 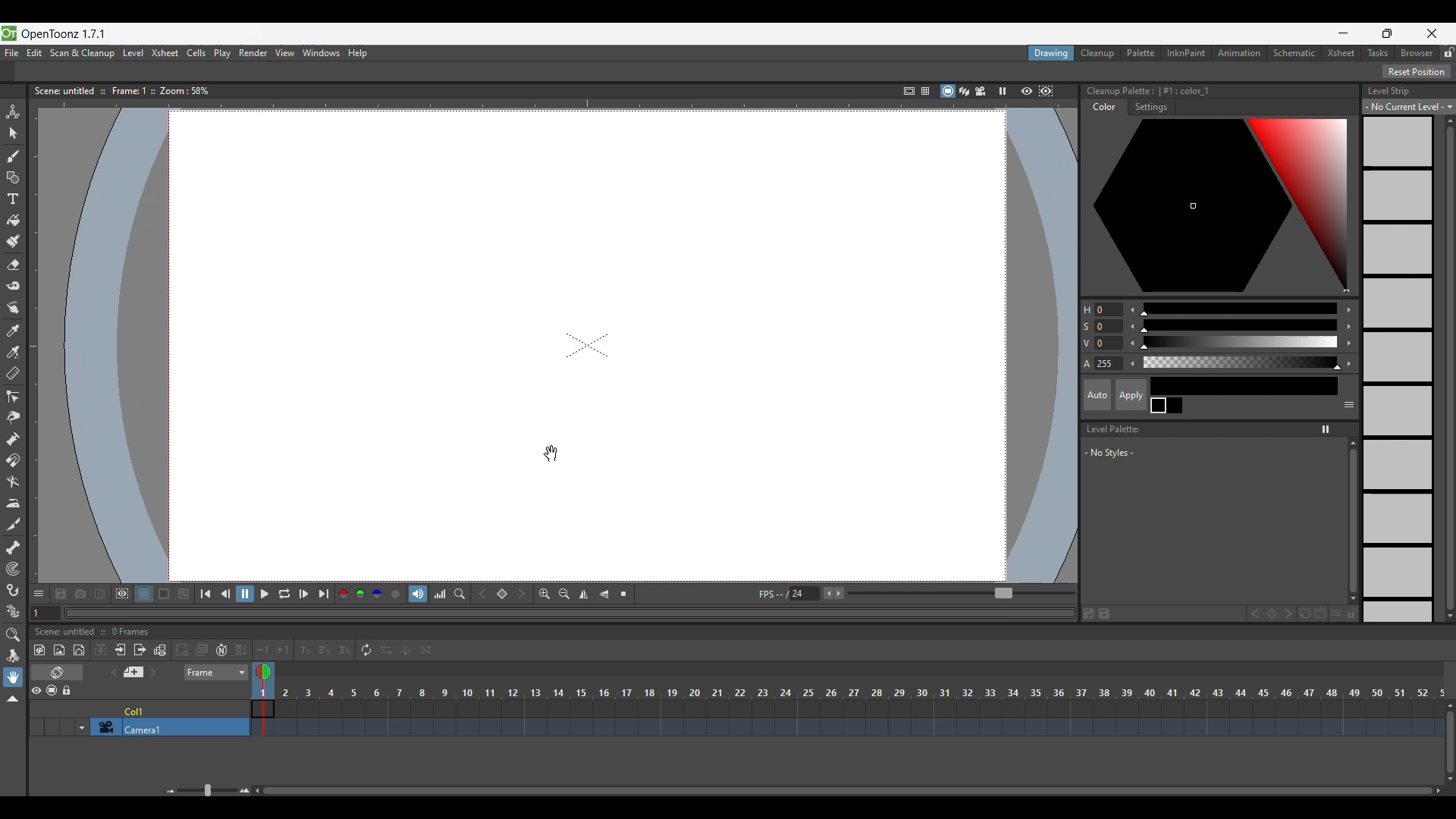 I want to click on Ruler tool, so click(x=13, y=372).